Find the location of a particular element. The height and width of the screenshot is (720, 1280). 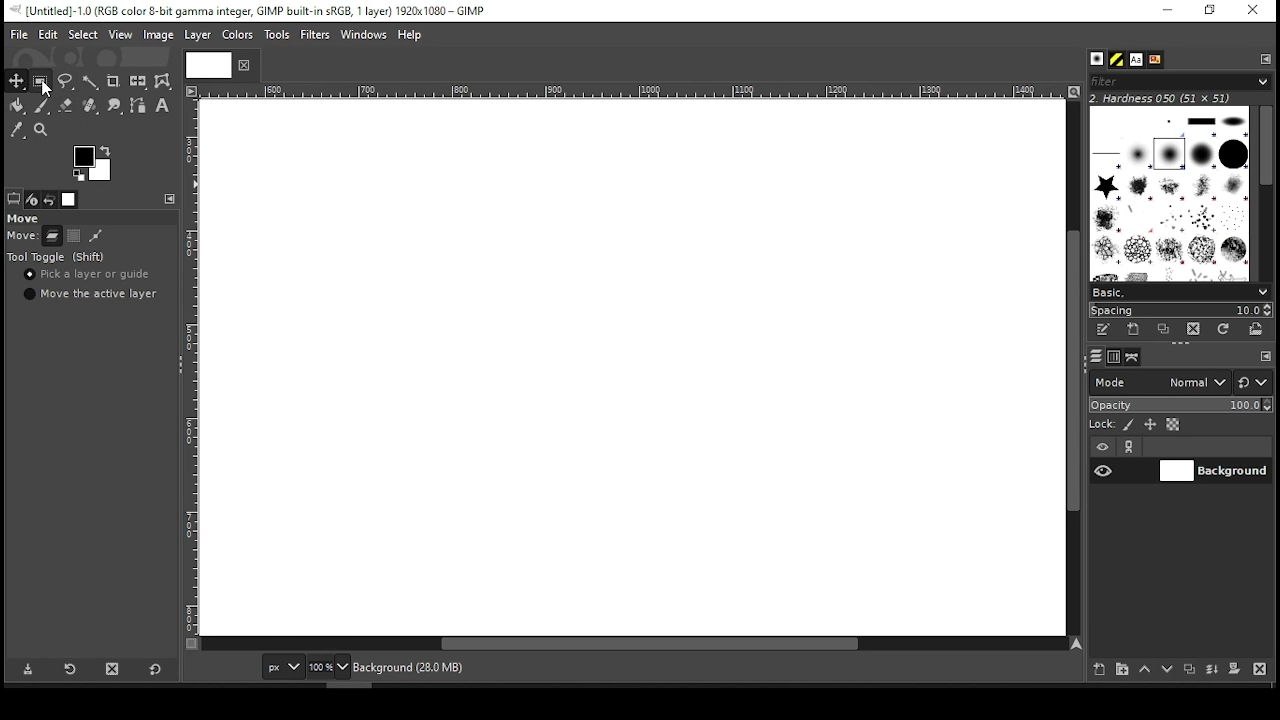

minimize is located at coordinates (1166, 11).